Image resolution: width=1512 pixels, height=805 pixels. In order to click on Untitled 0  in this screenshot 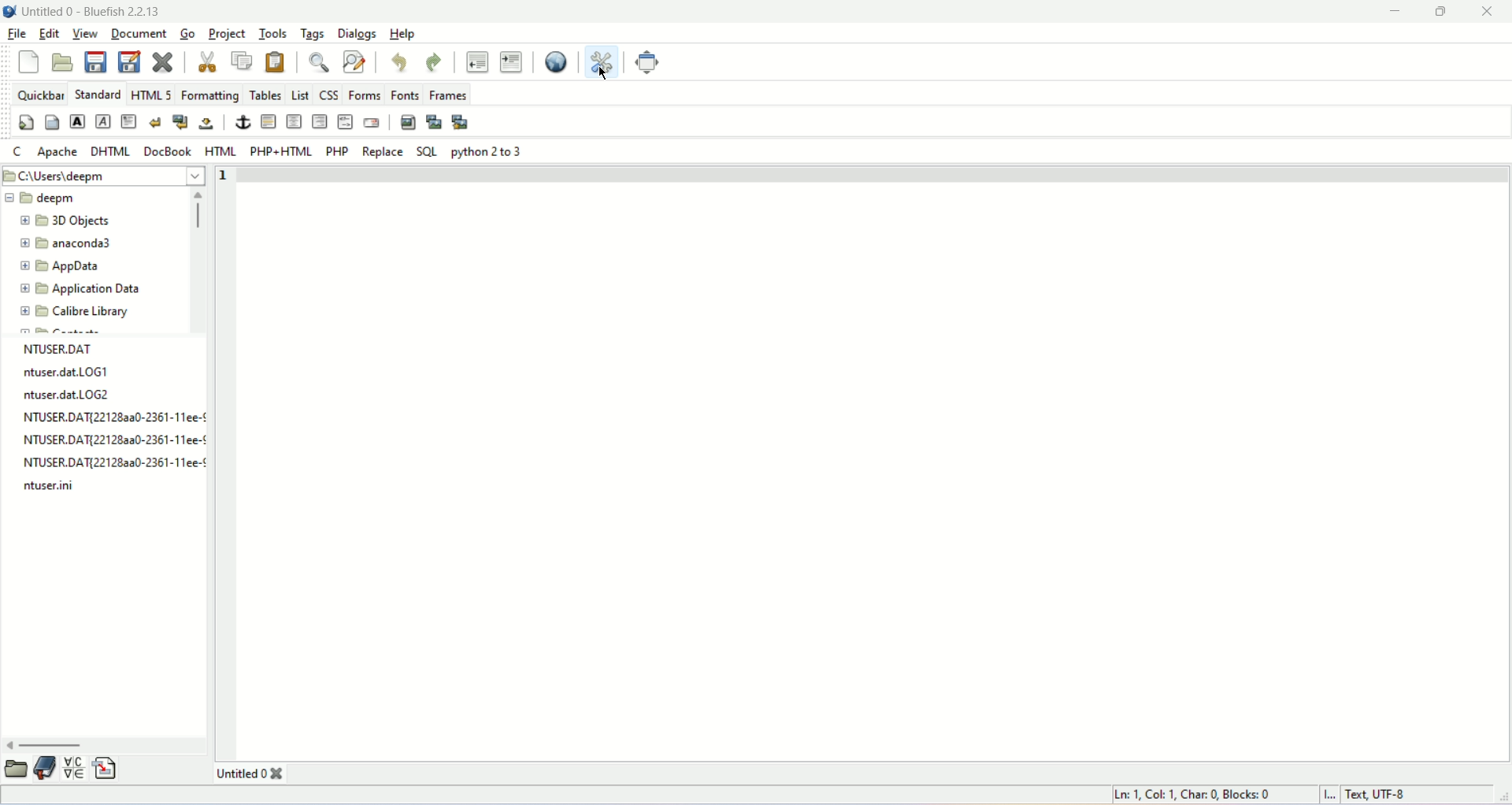, I will do `click(254, 772)`.